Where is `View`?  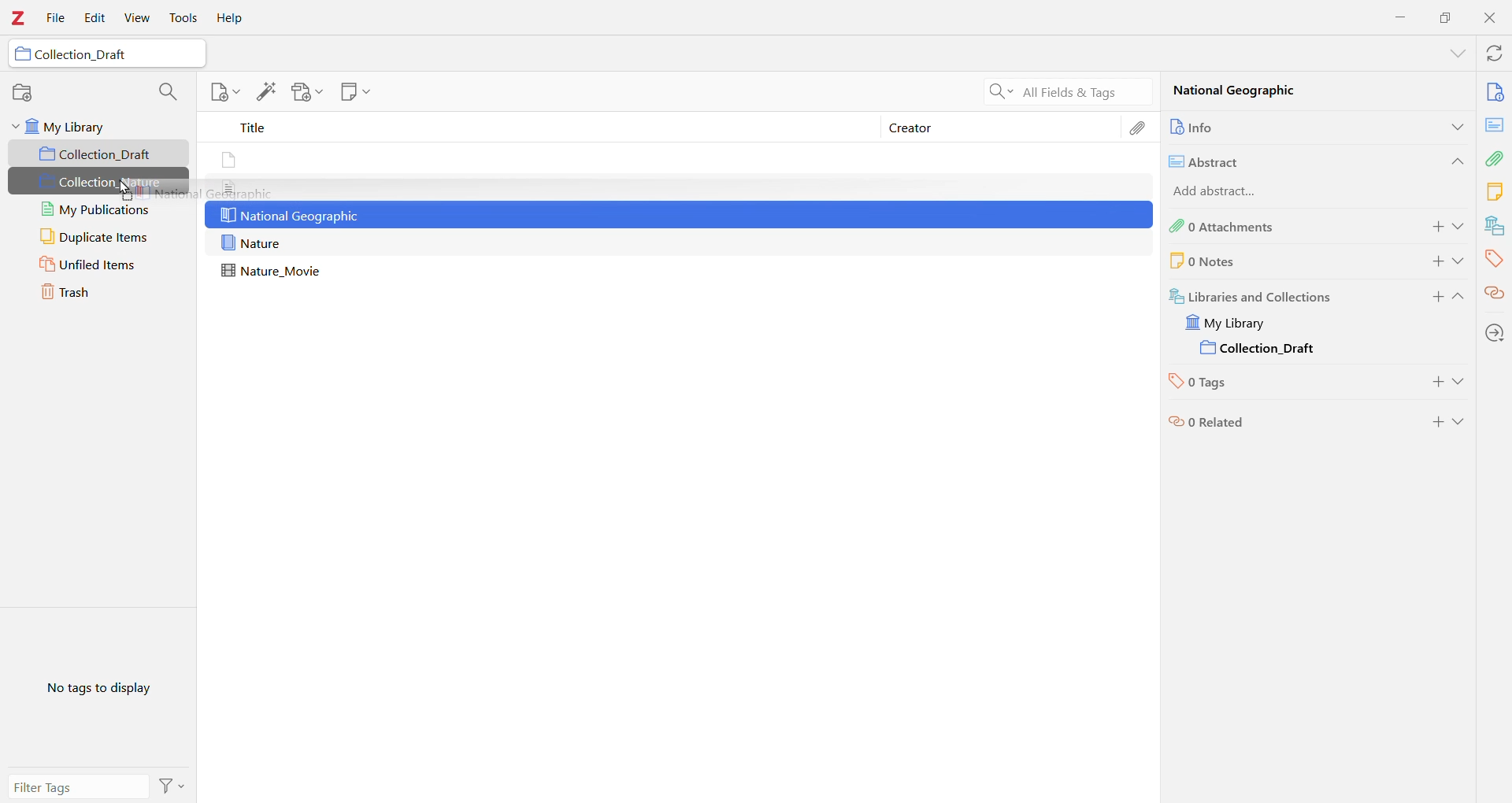
View is located at coordinates (139, 18).